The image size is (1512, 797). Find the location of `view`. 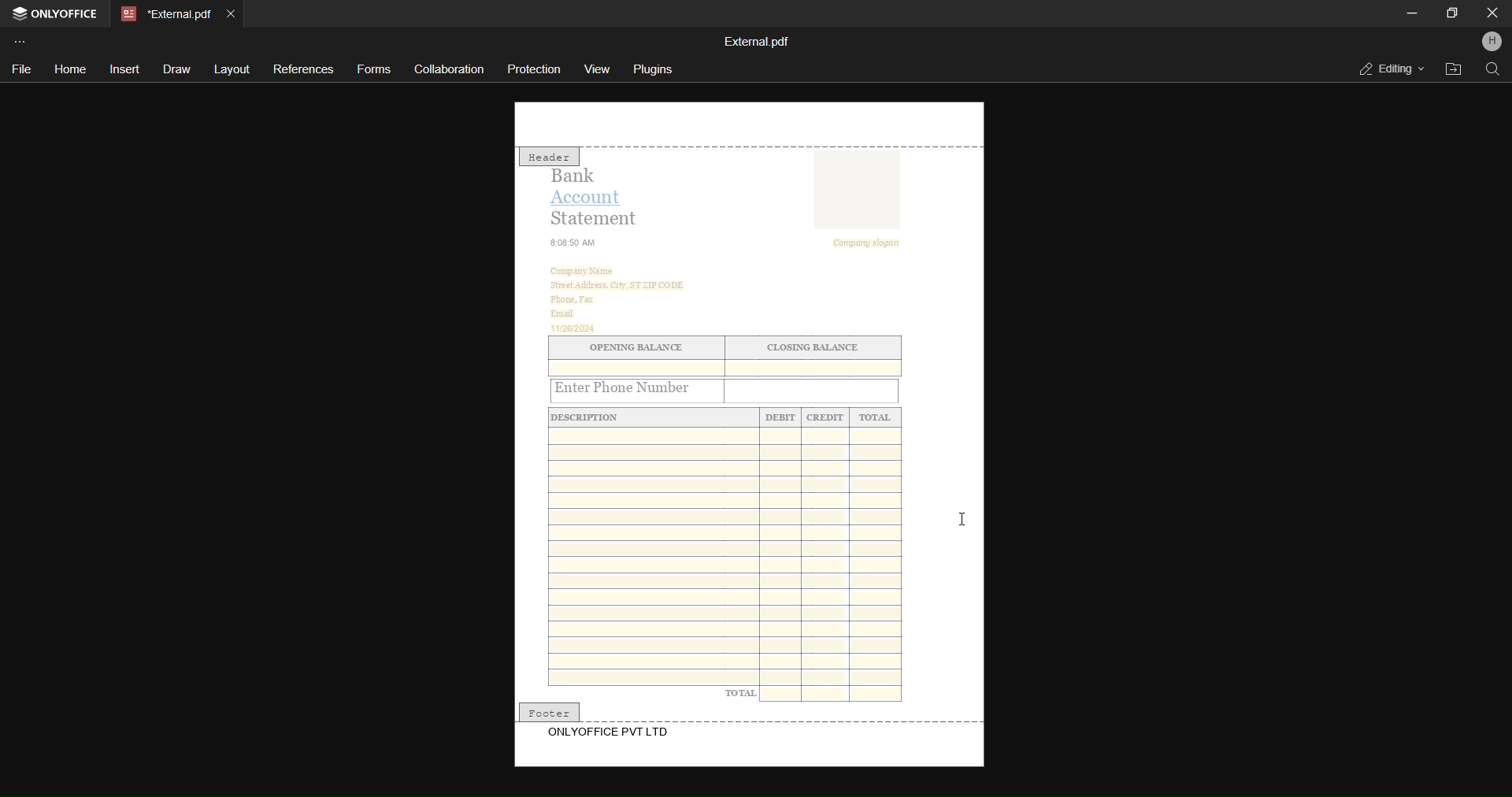

view is located at coordinates (600, 69).